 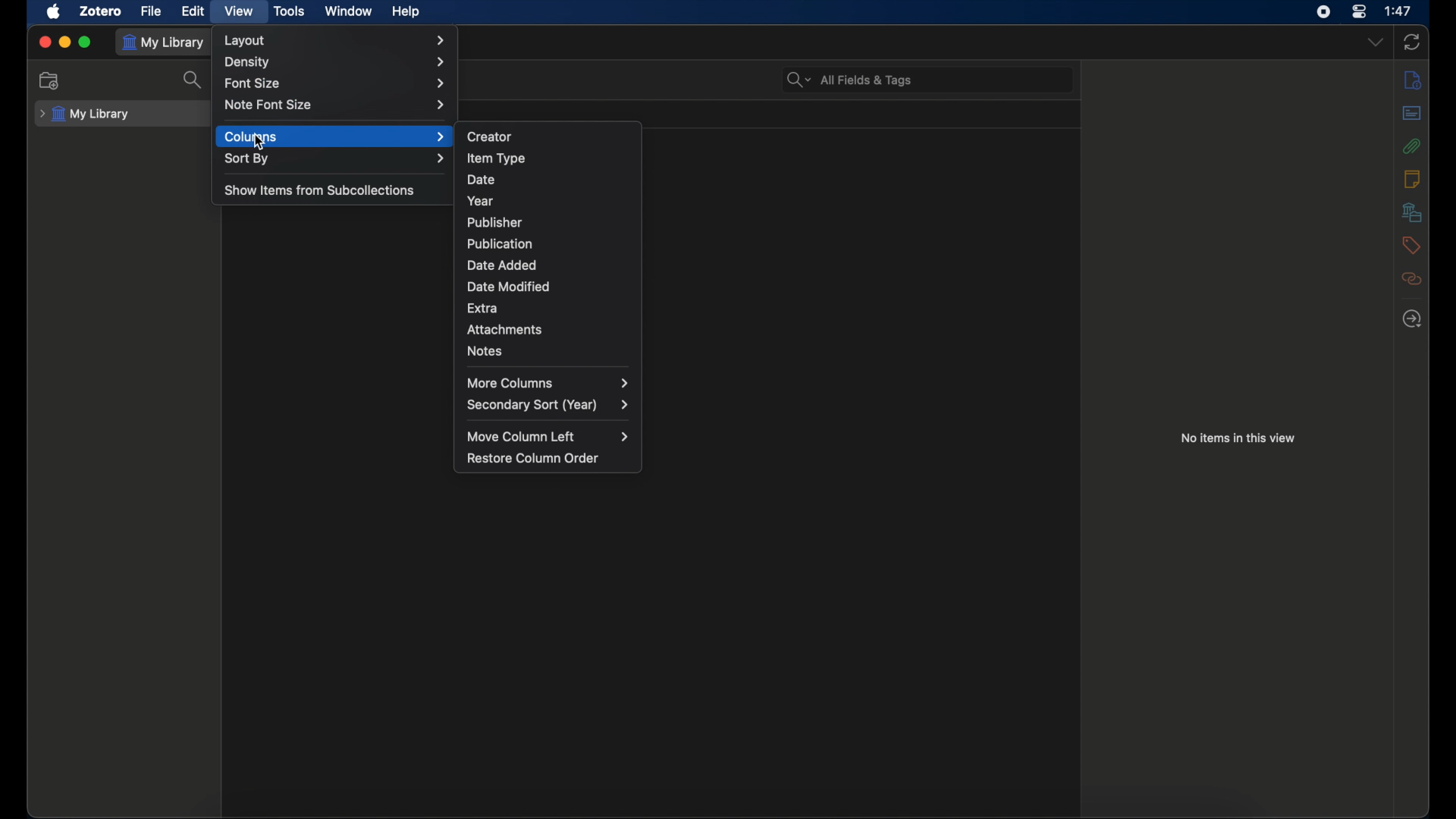 I want to click on window, so click(x=347, y=11).